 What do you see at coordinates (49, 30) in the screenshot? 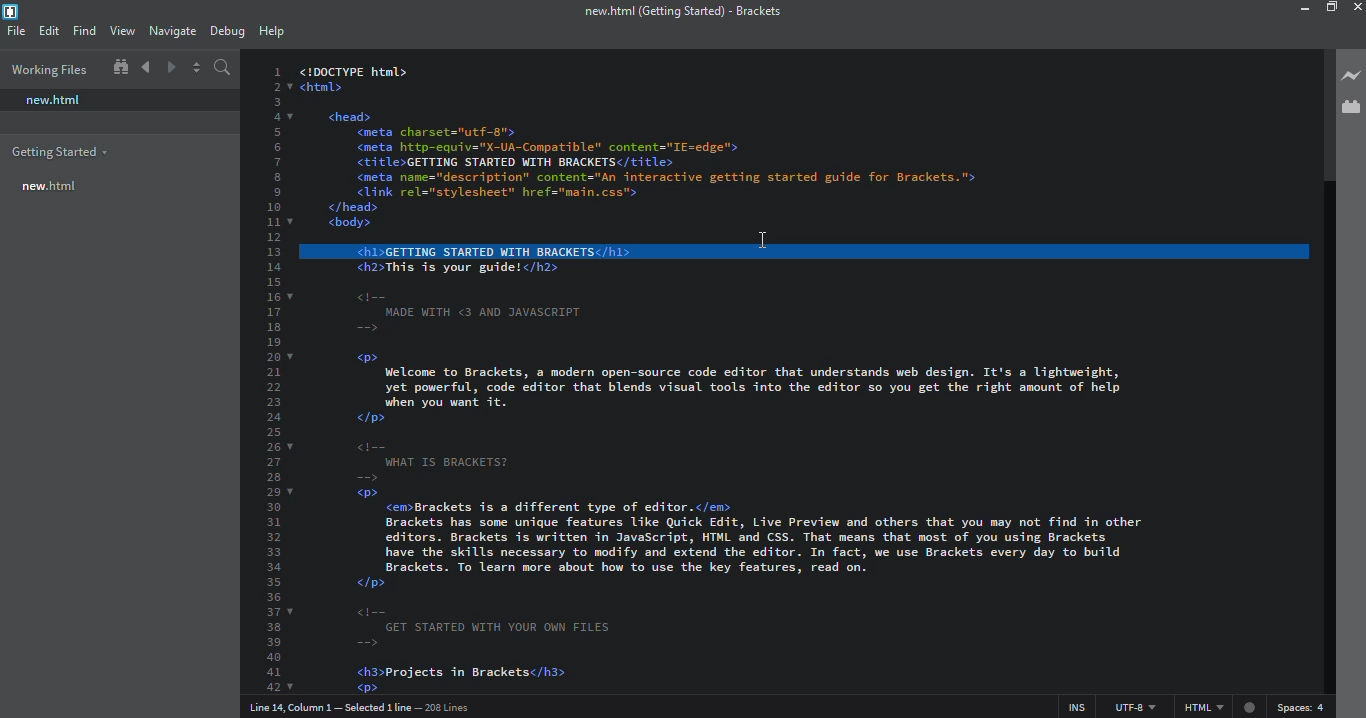
I see `edit` at bounding box center [49, 30].